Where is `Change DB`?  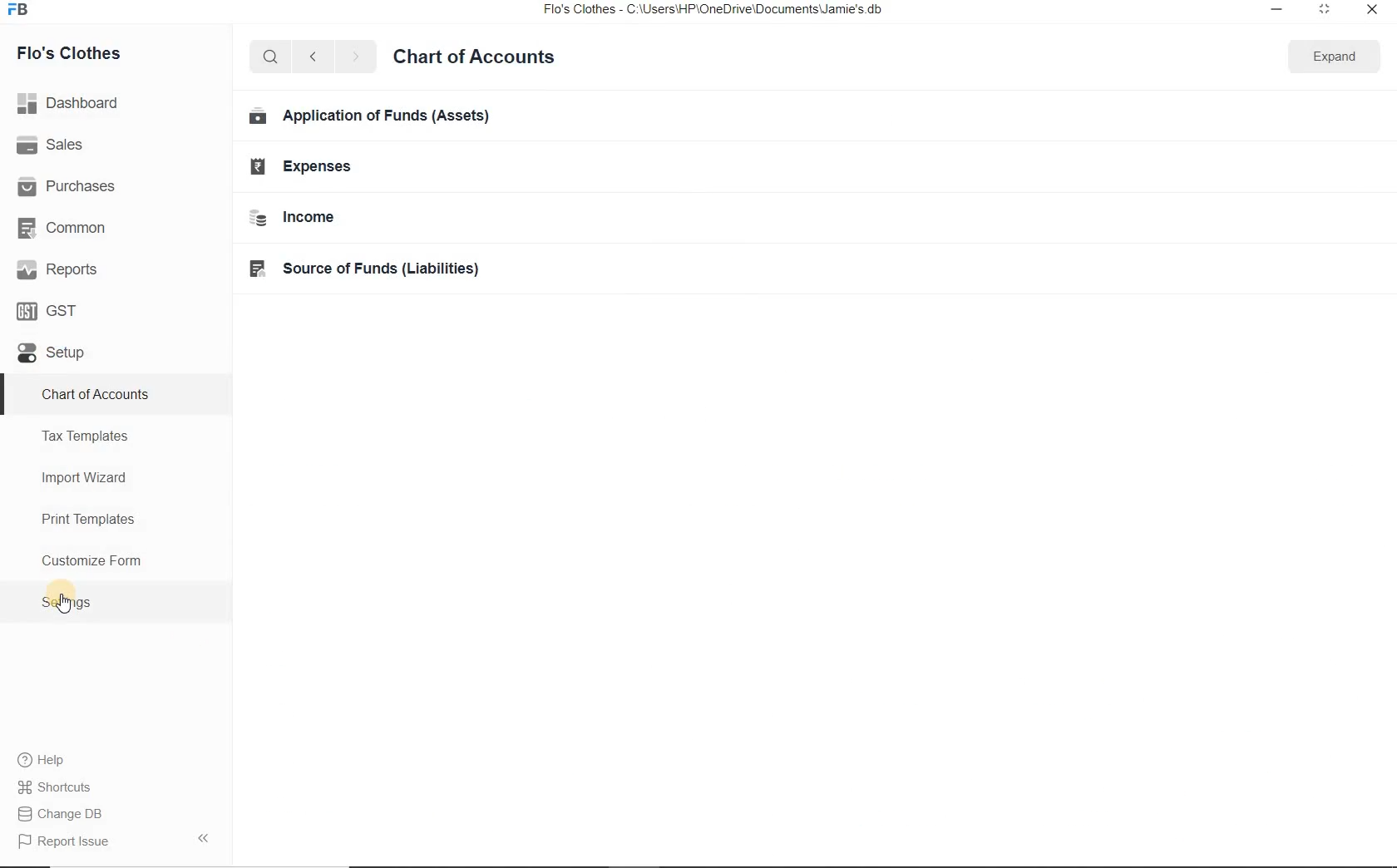 Change DB is located at coordinates (62, 816).